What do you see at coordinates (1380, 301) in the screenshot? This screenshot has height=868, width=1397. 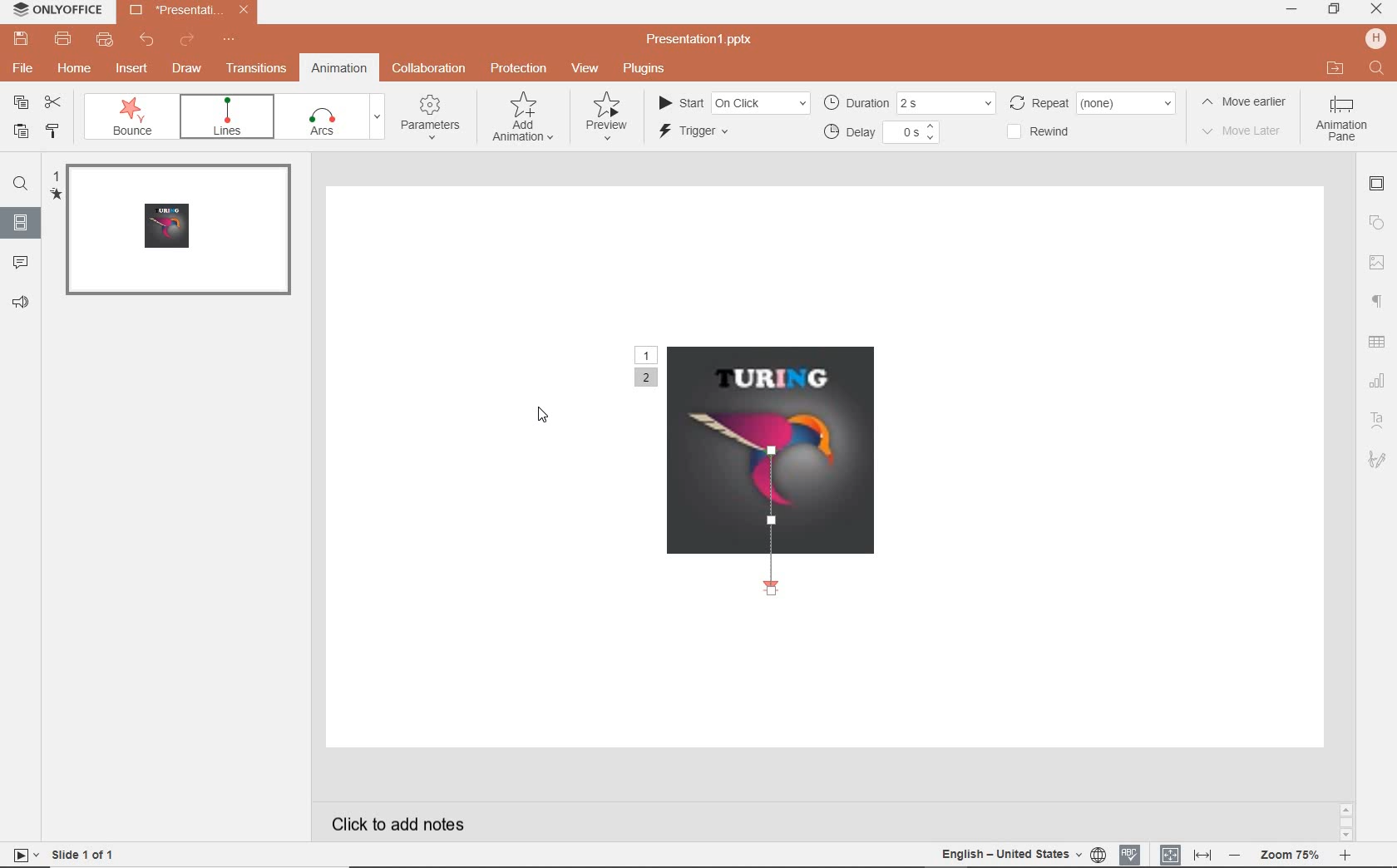 I see `paragraph settings` at bounding box center [1380, 301].